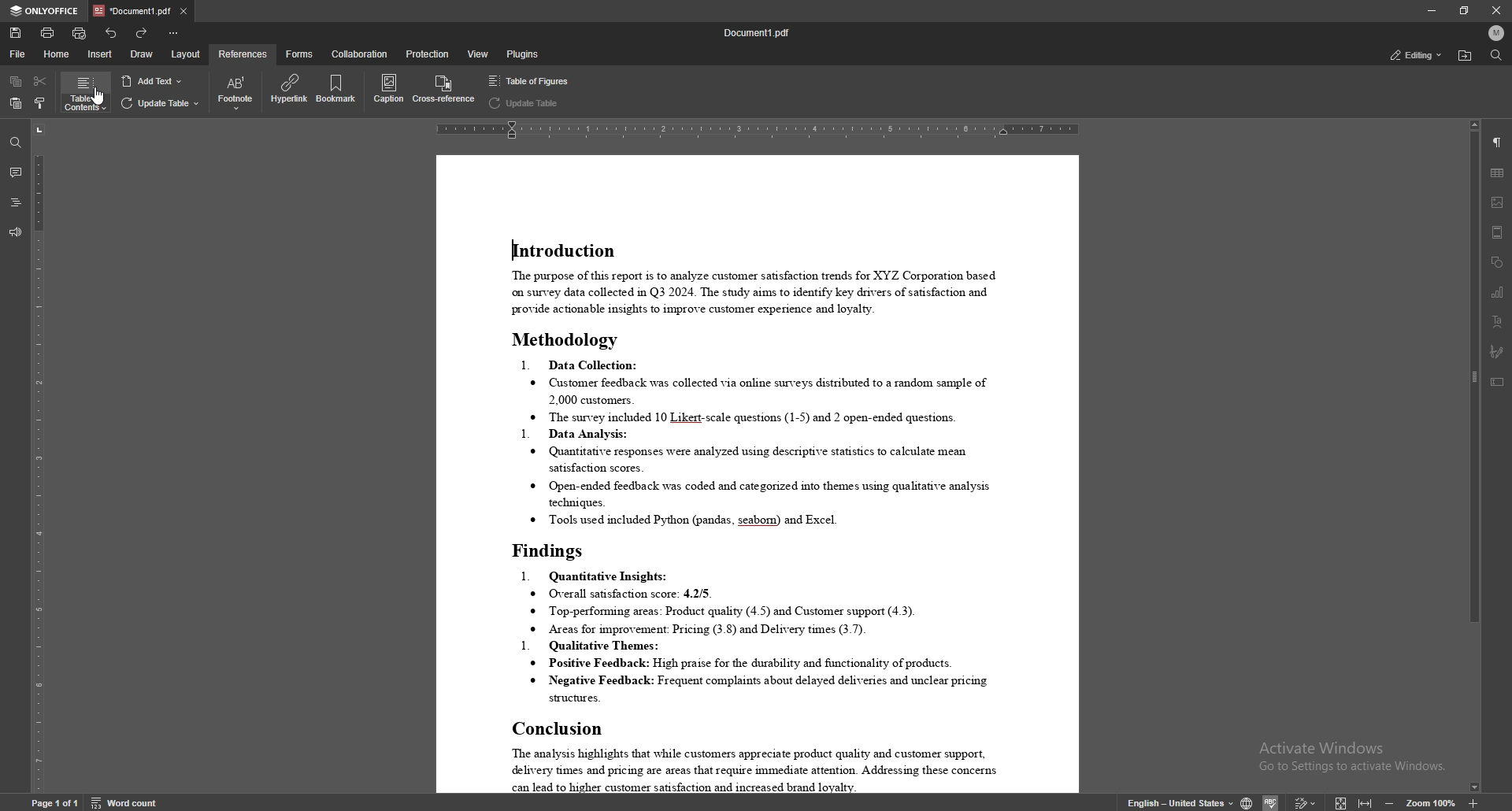  I want to click on draw, so click(140, 54).